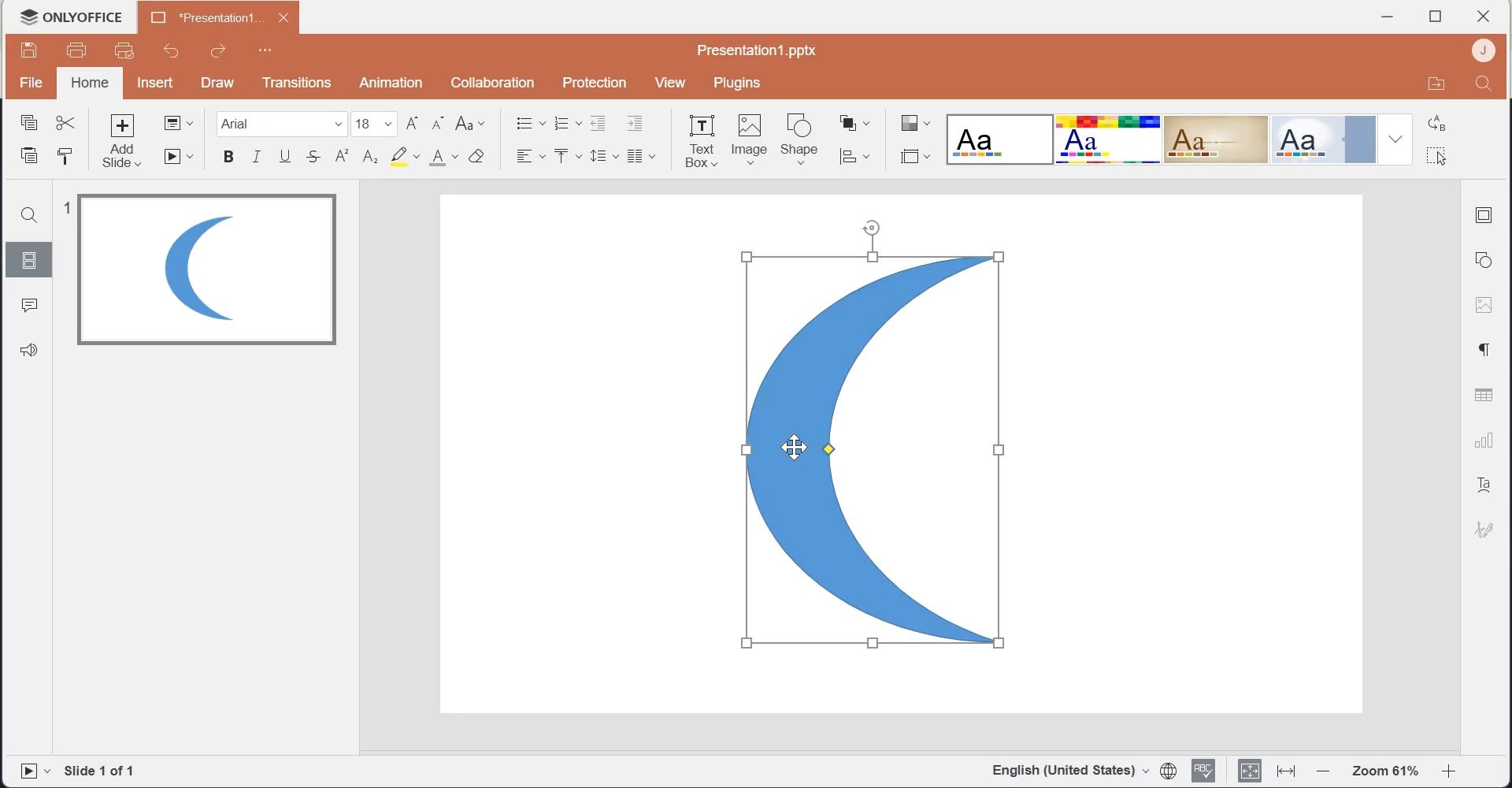 This screenshot has width=1512, height=788. What do you see at coordinates (671, 84) in the screenshot?
I see `View` at bounding box center [671, 84].